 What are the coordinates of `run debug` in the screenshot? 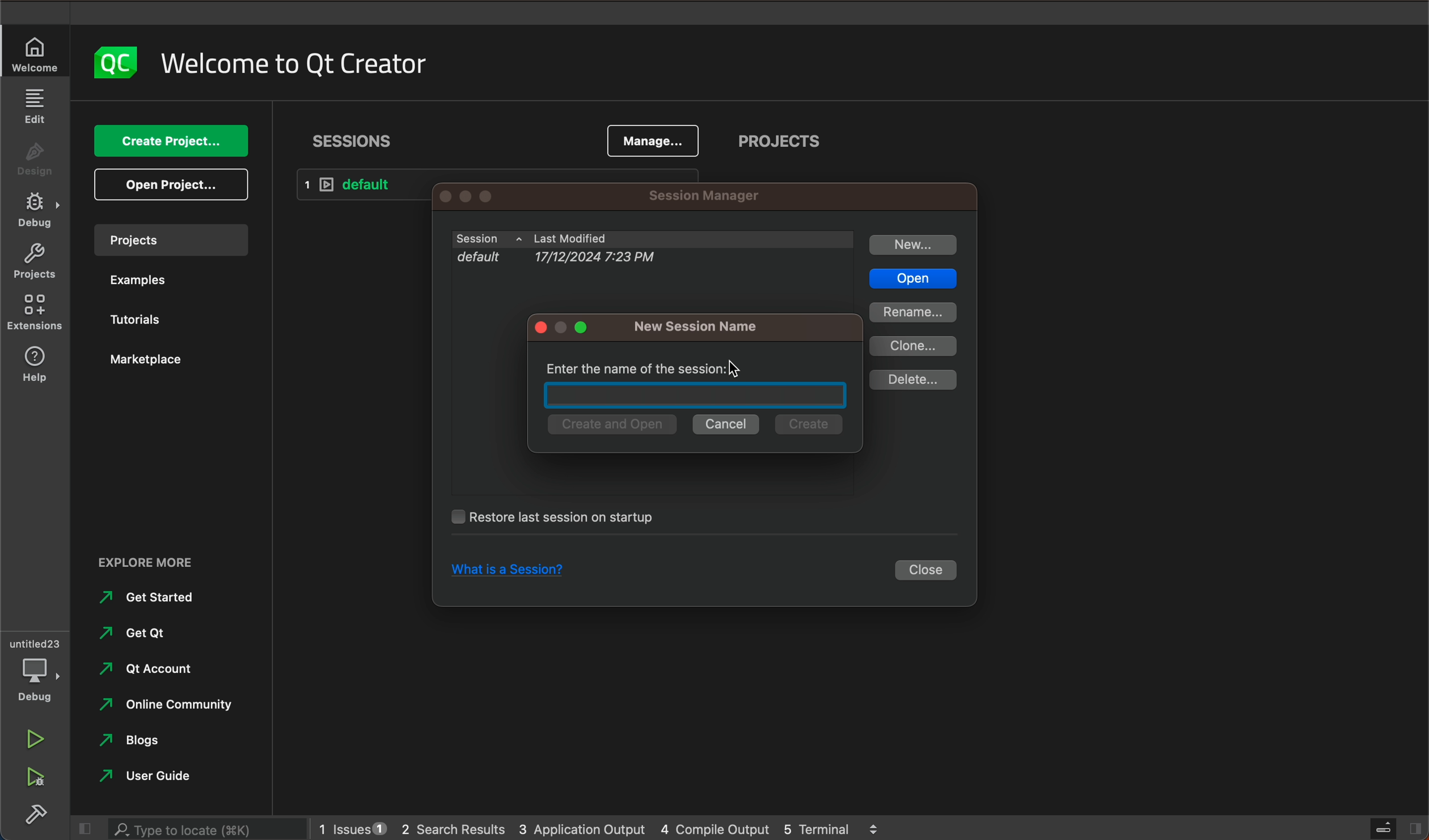 It's located at (37, 778).